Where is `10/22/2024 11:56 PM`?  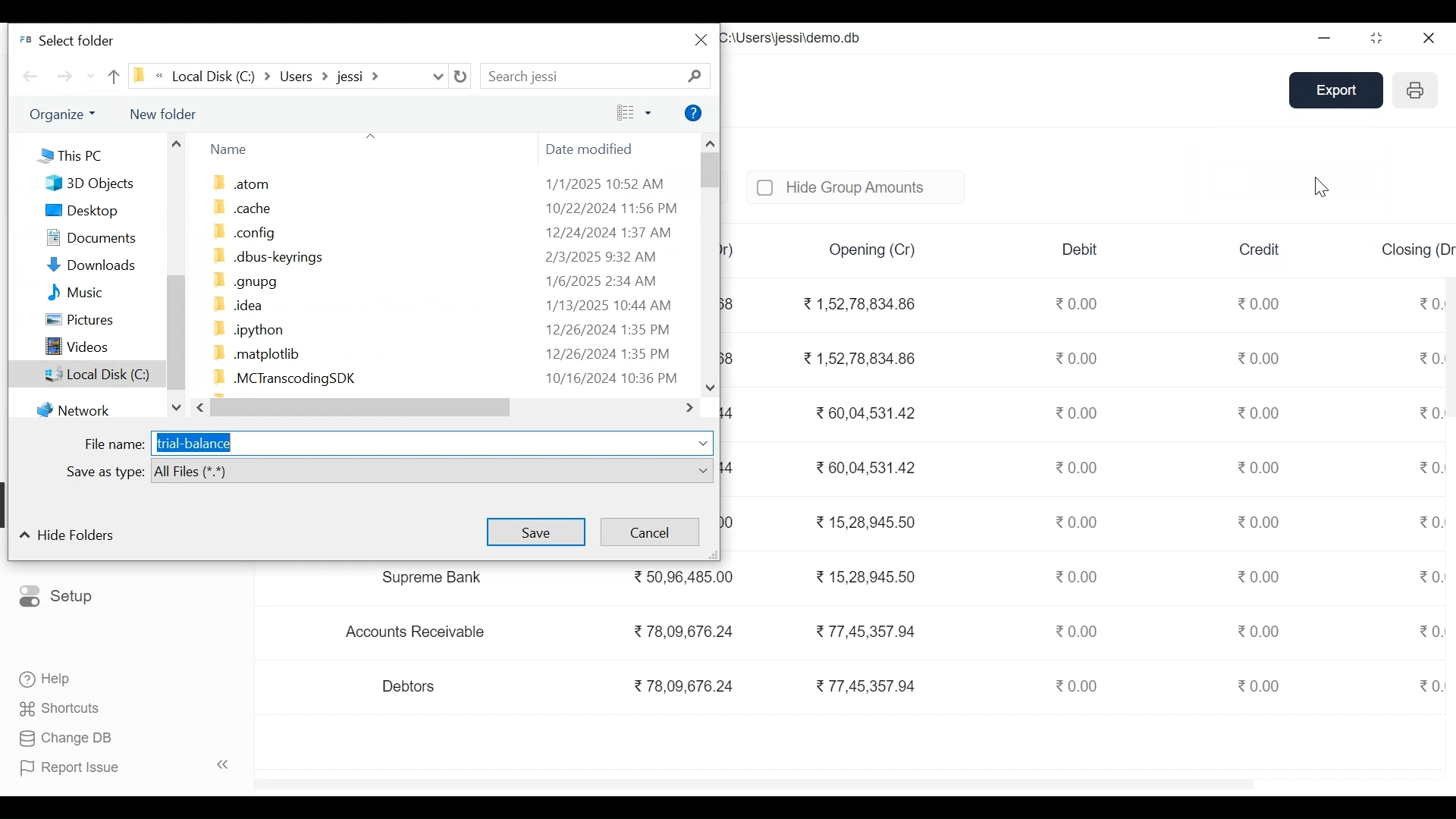 10/22/2024 11:56 PM is located at coordinates (612, 209).